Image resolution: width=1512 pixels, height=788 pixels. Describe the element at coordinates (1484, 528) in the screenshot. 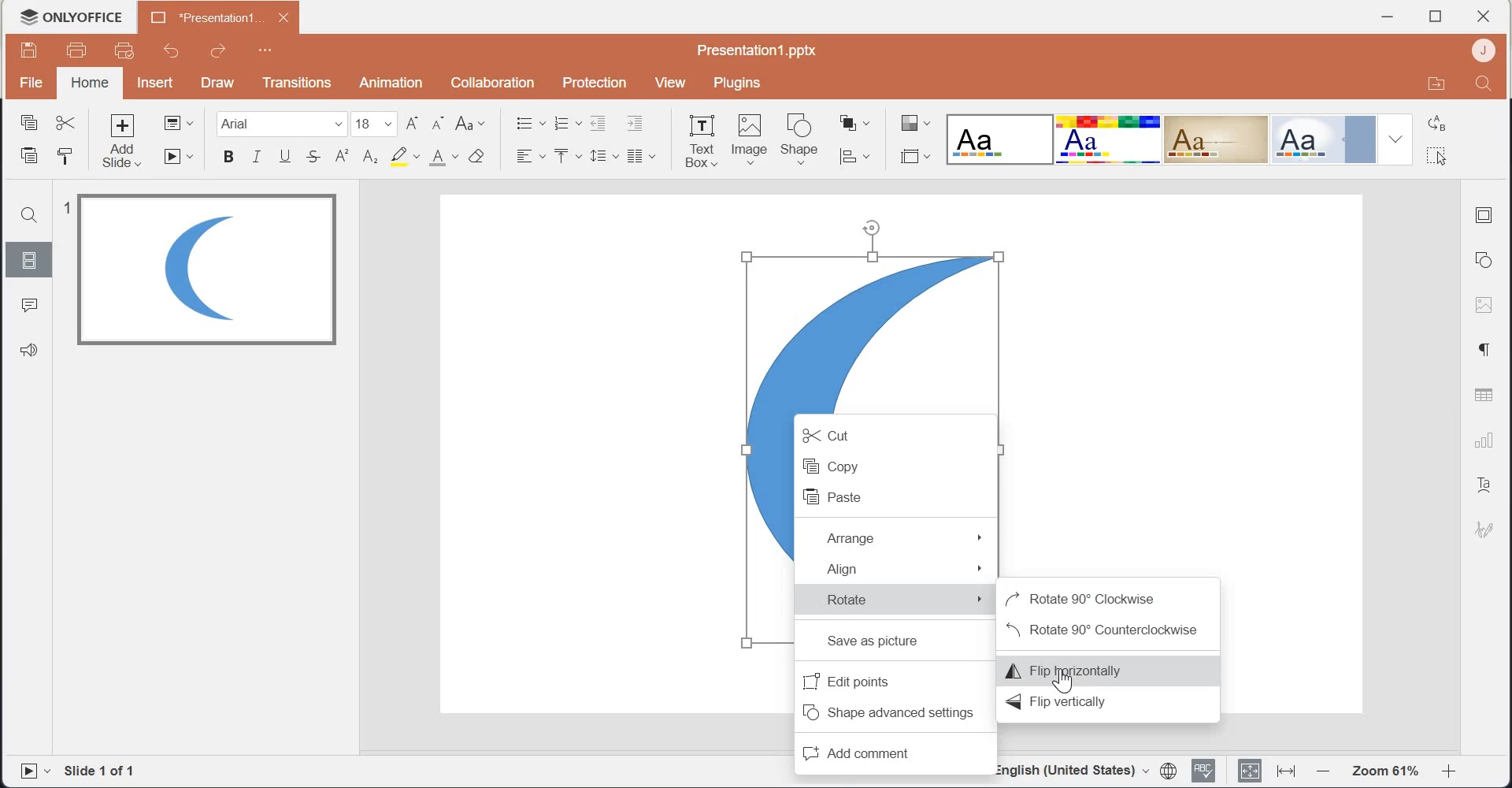

I see `Signature` at that location.